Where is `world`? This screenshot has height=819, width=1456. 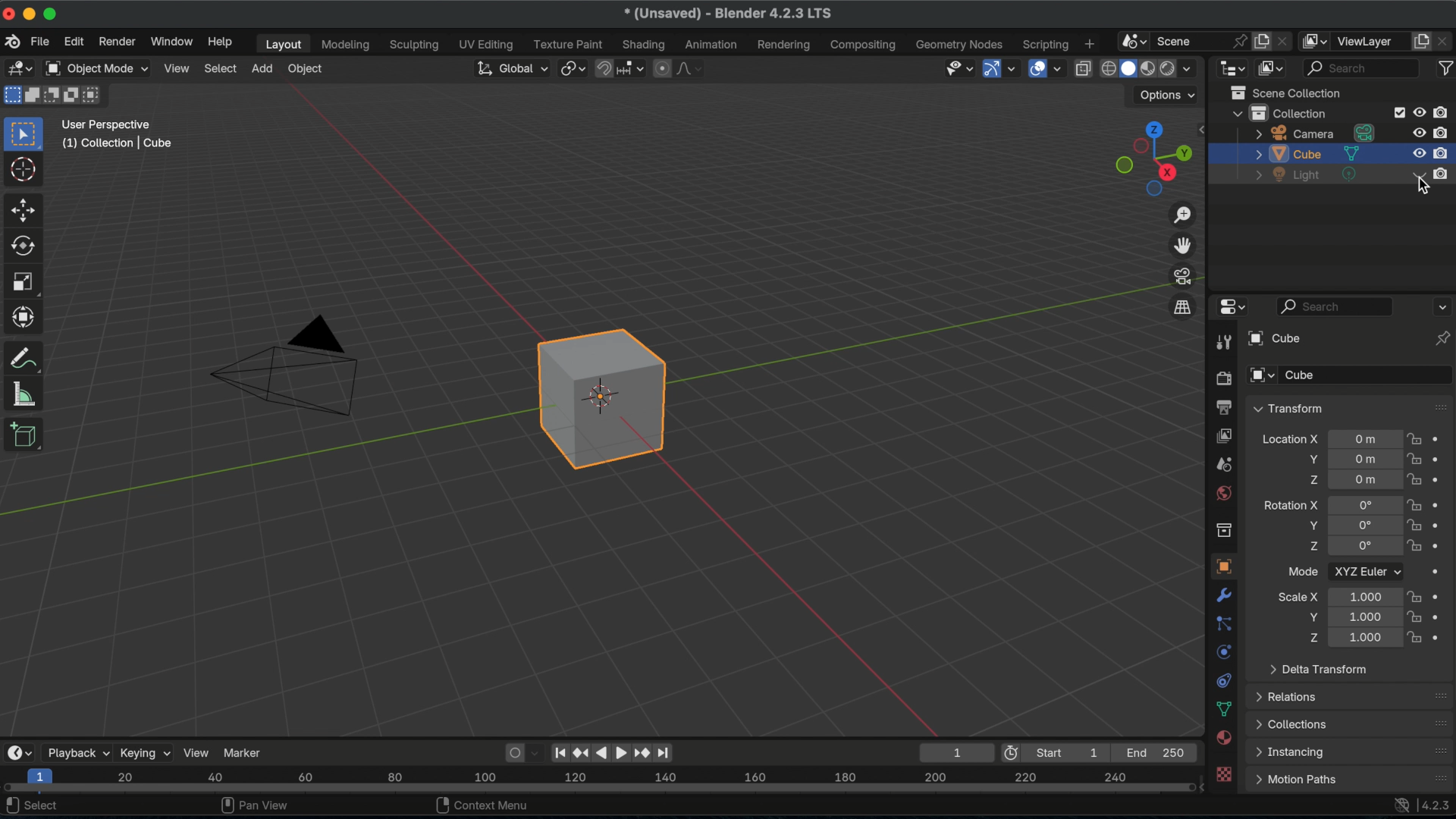
world is located at coordinates (1222, 491).